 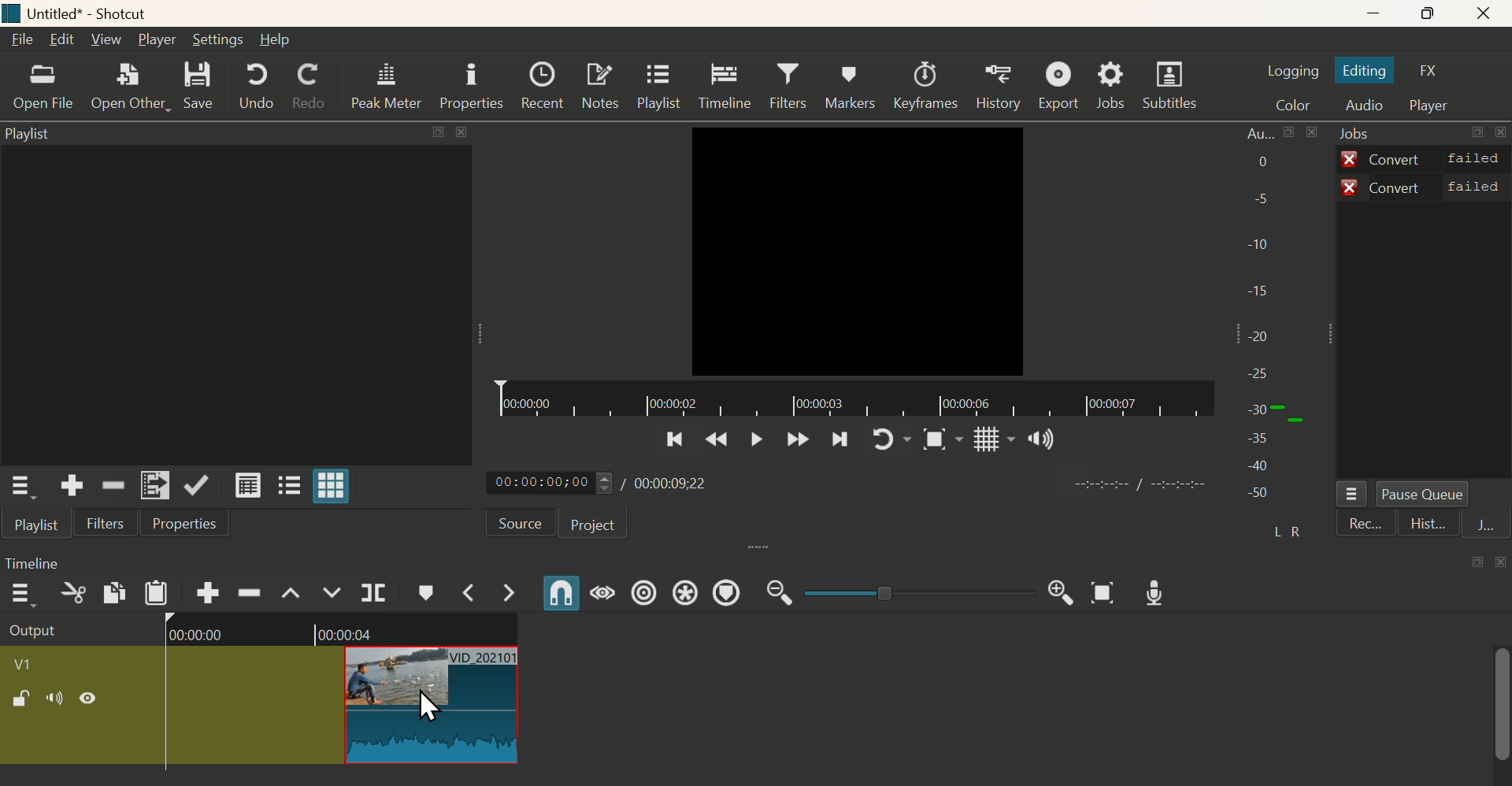 I want to click on Logging, so click(x=1292, y=69).